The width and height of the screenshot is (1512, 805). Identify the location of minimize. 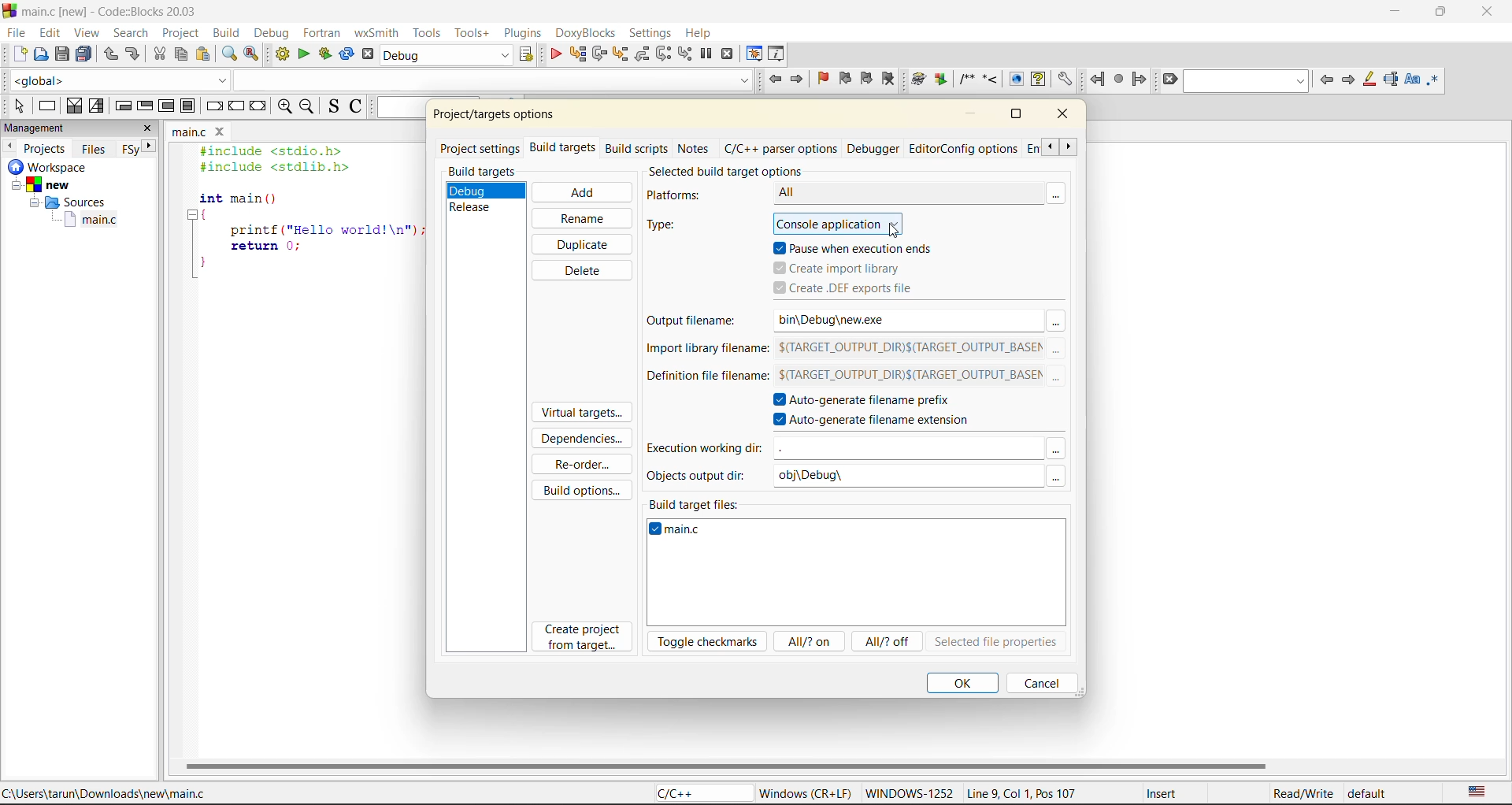
(1393, 13).